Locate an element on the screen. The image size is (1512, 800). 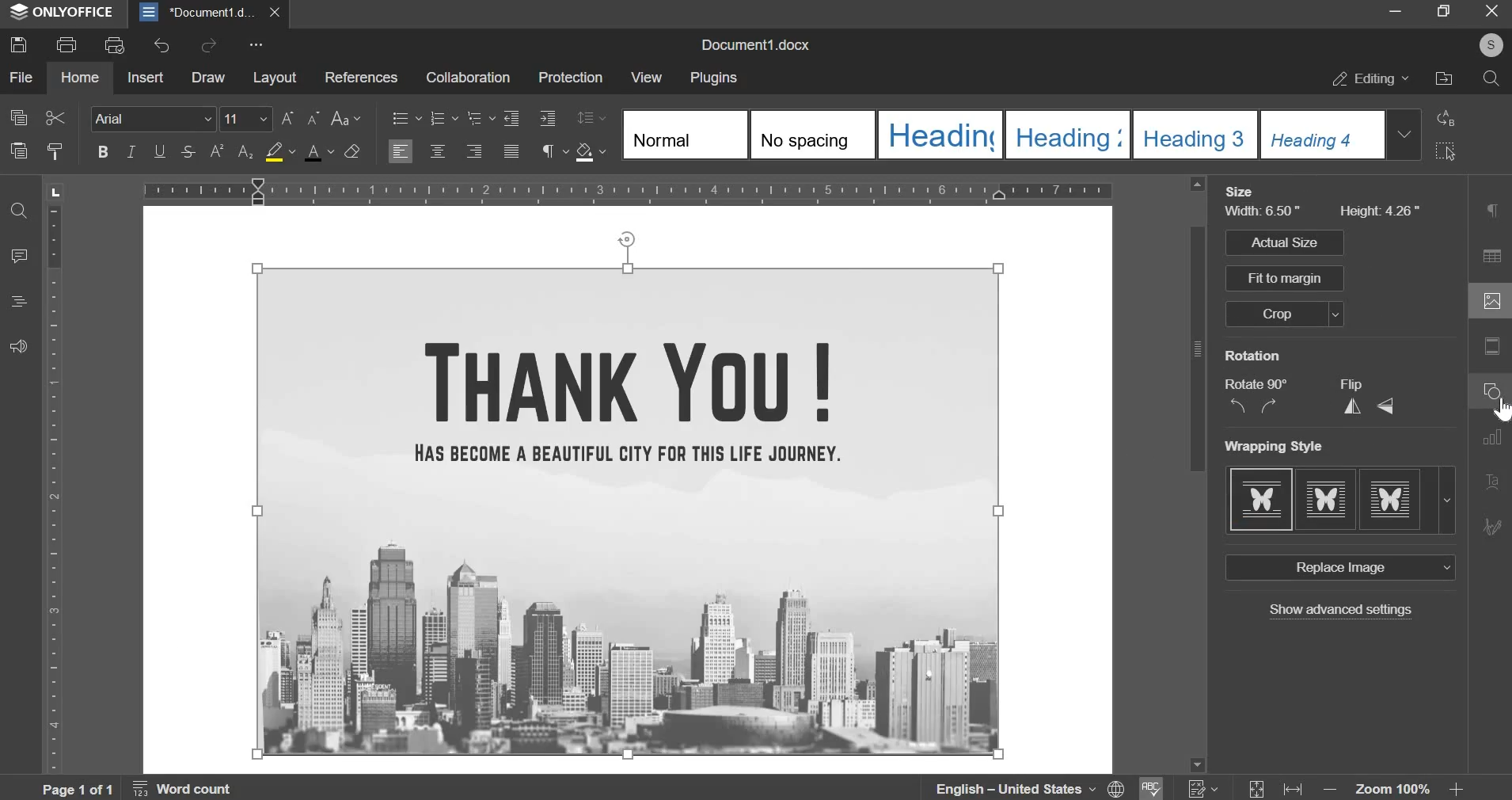
find is located at coordinates (19, 208).